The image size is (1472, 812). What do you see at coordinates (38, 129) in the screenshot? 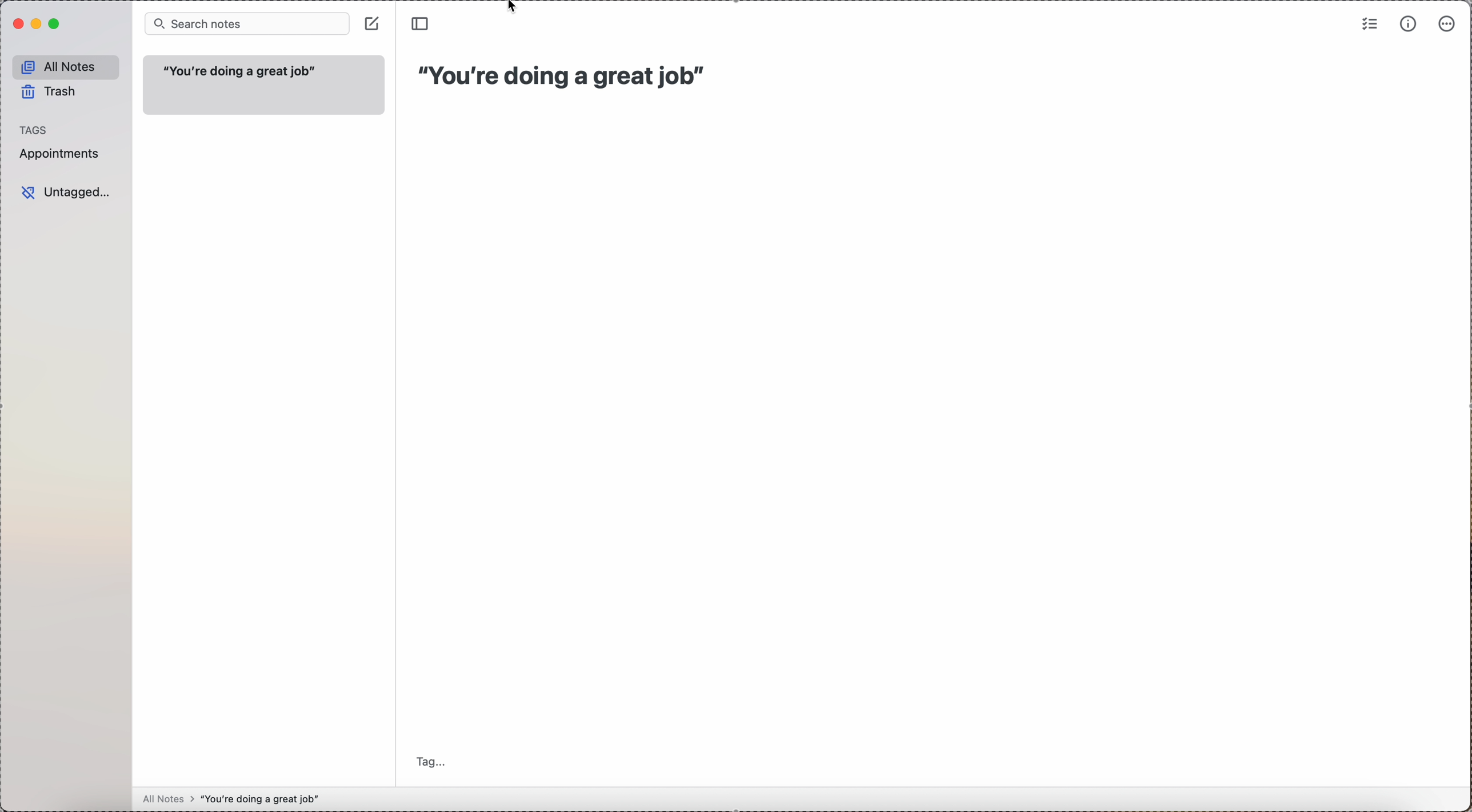
I see `tags` at bounding box center [38, 129].